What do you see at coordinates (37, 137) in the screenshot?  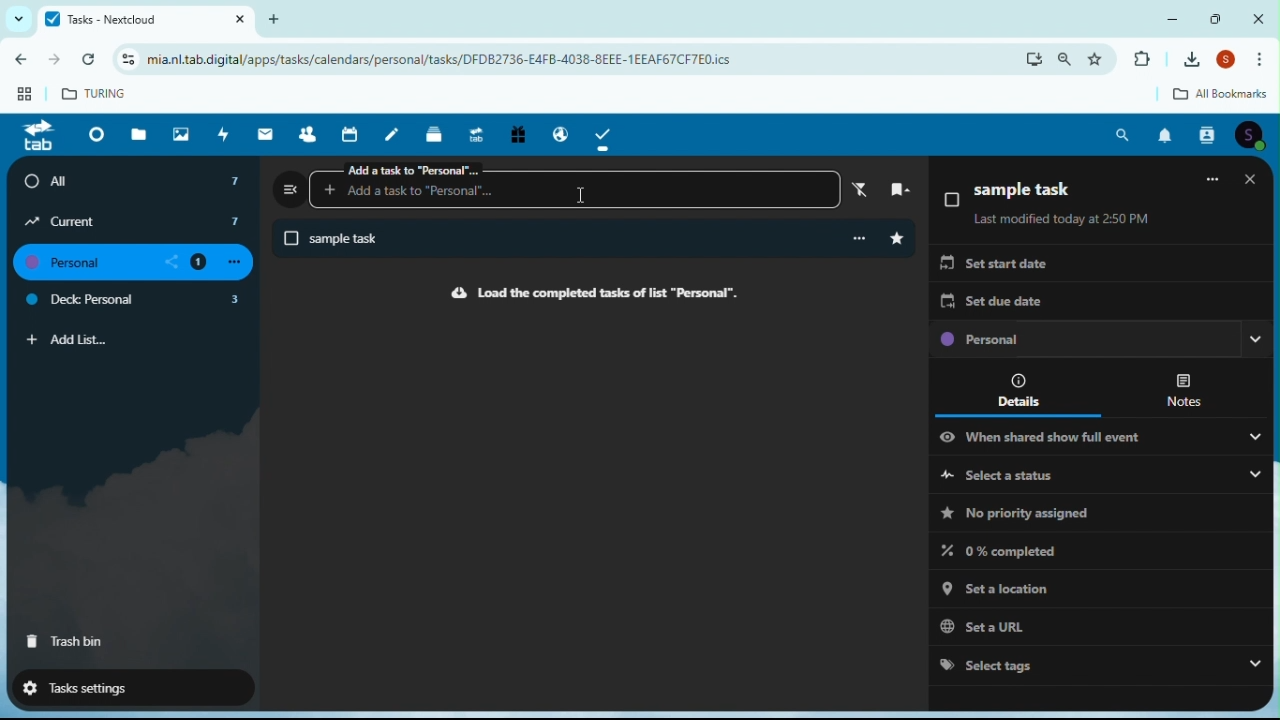 I see `tab` at bounding box center [37, 137].